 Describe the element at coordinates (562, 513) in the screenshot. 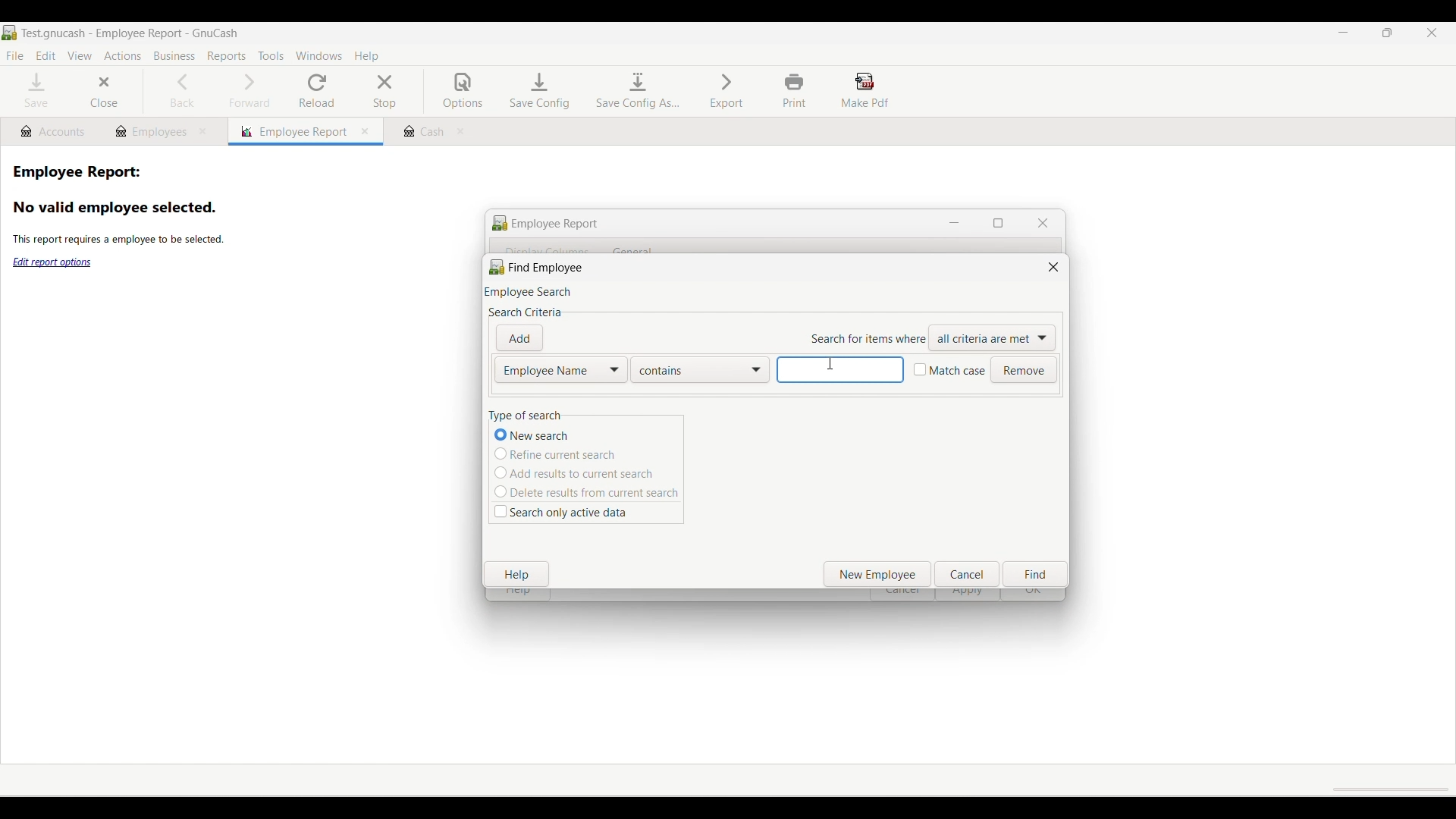

I see `Search only active date` at that location.